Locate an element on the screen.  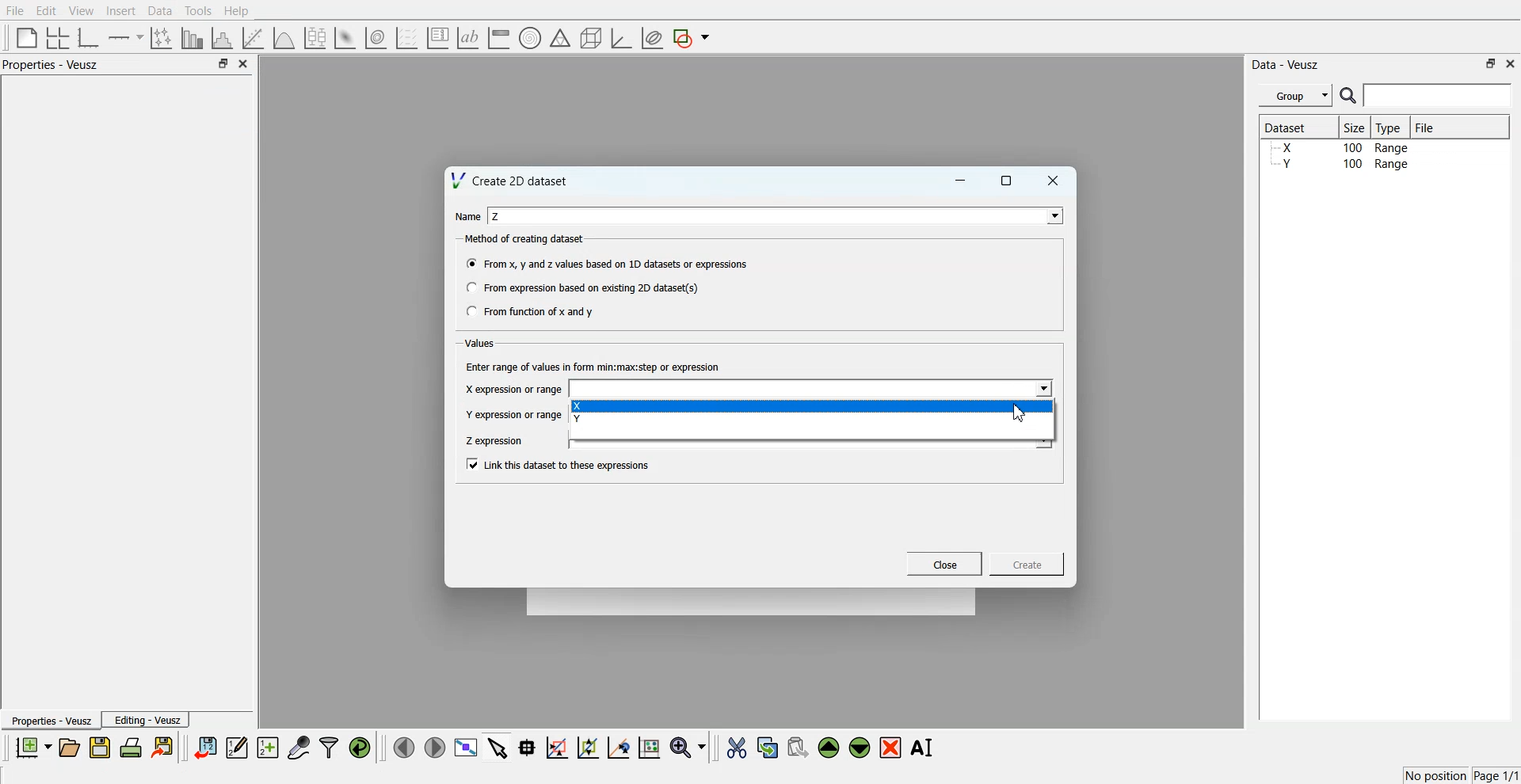
~~ Enter range of values in form min:max:step or expression is located at coordinates (593, 366).